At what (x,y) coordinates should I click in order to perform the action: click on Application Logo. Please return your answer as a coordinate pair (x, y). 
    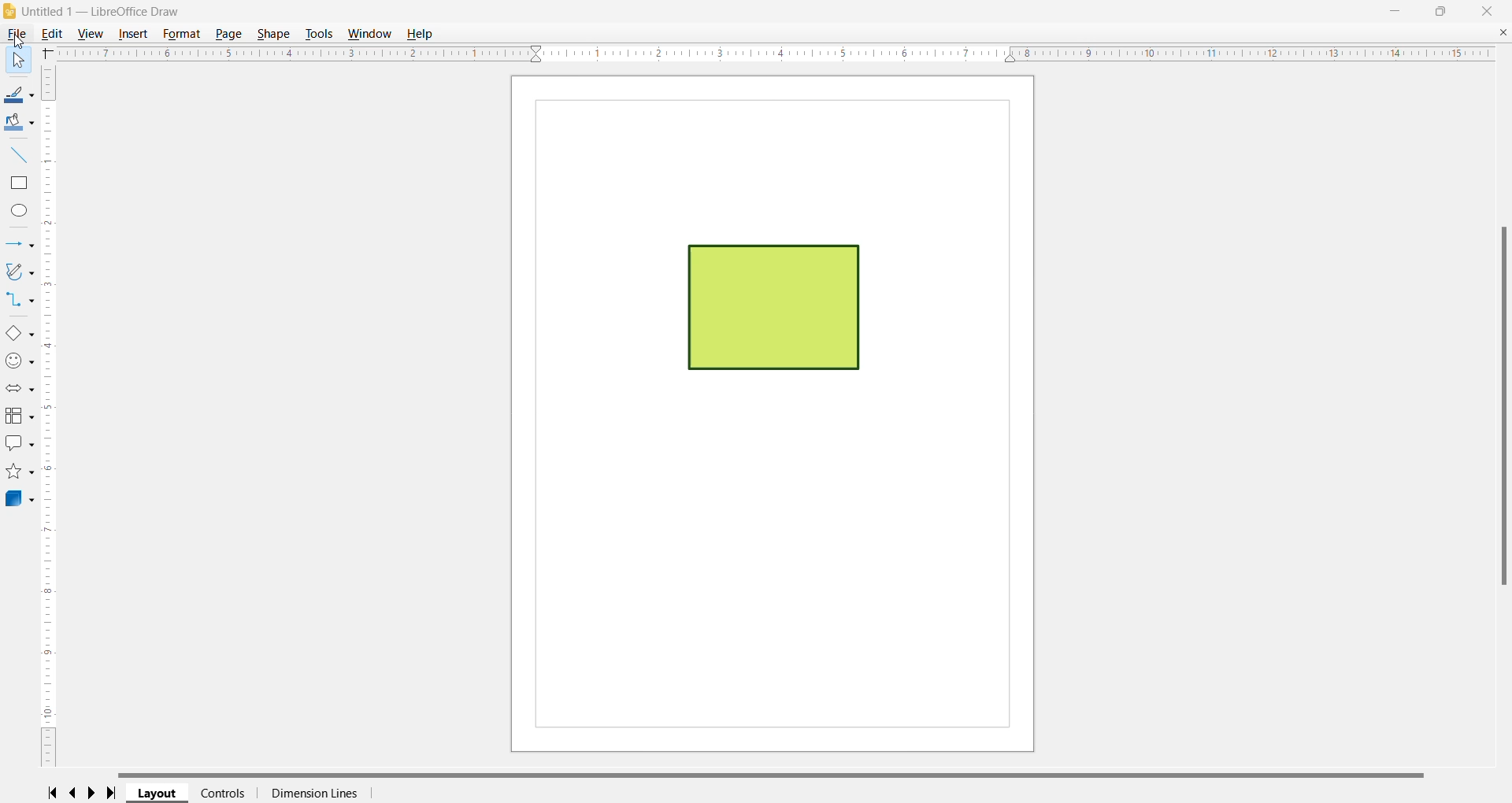
    Looking at the image, I should click on (10, 13).